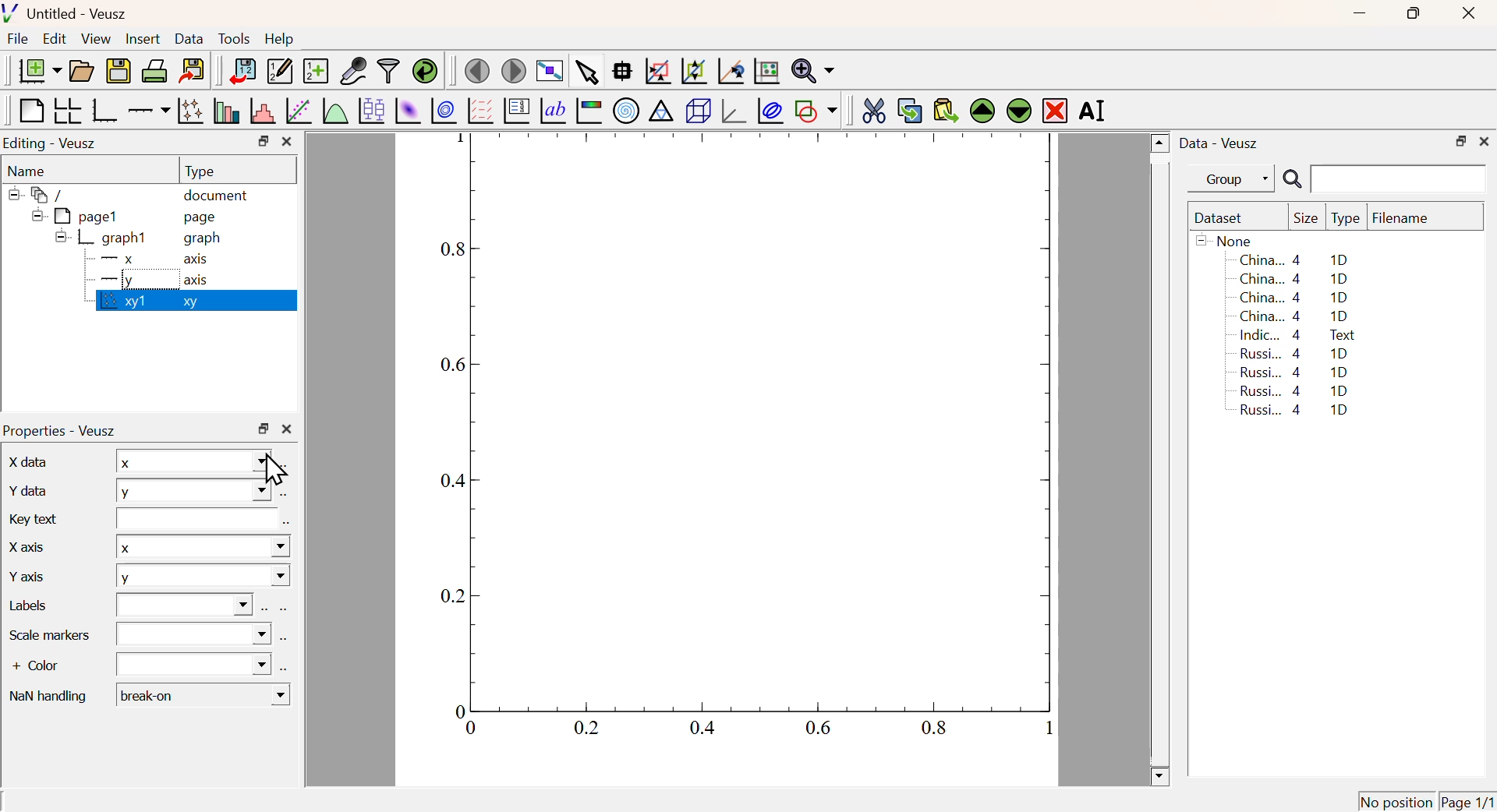  Describe the element at coordinates (280, 39) in the screenshot. I see `Help` at that location.